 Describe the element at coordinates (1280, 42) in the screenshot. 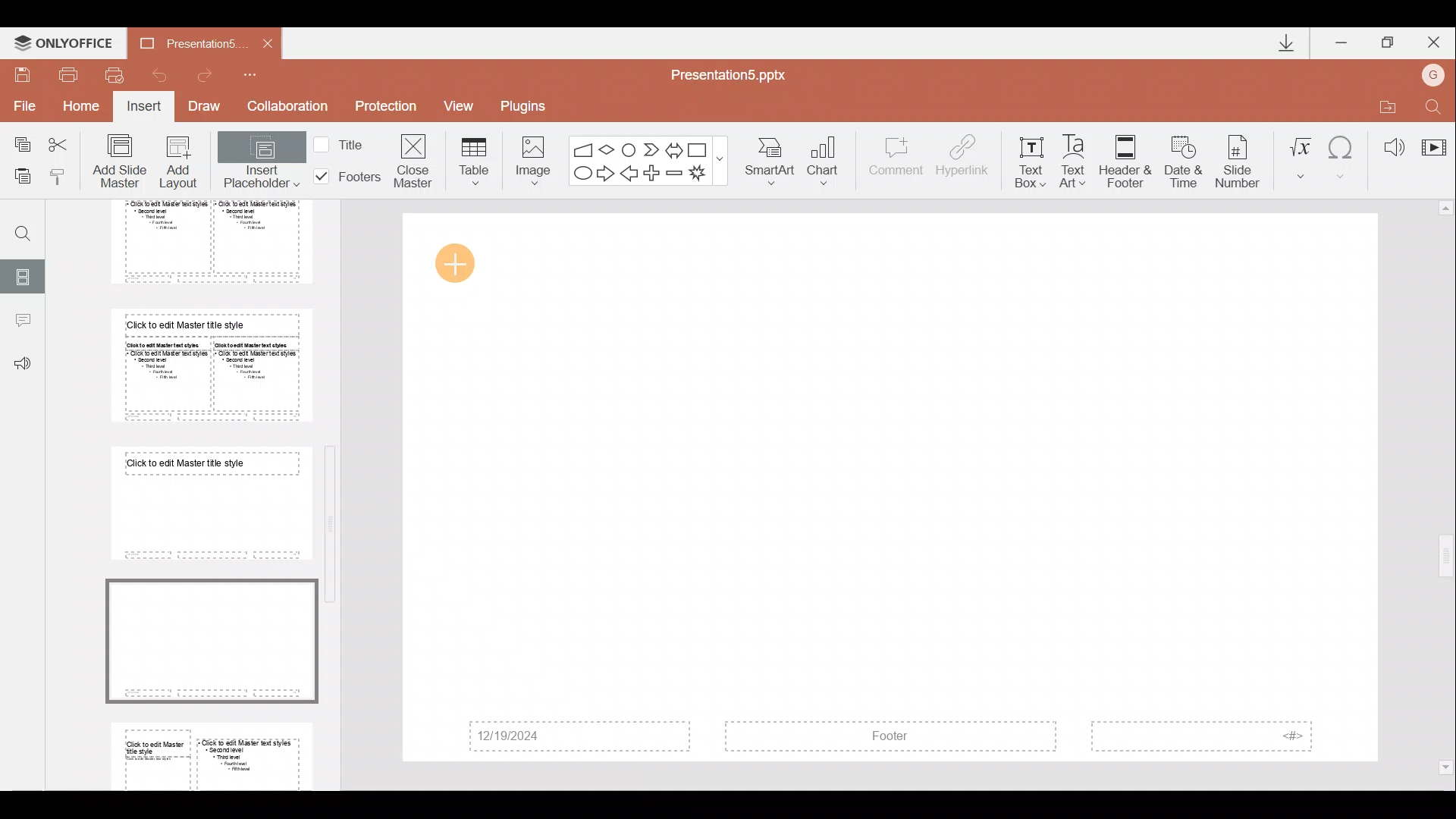

I see `Downloads` at that location.